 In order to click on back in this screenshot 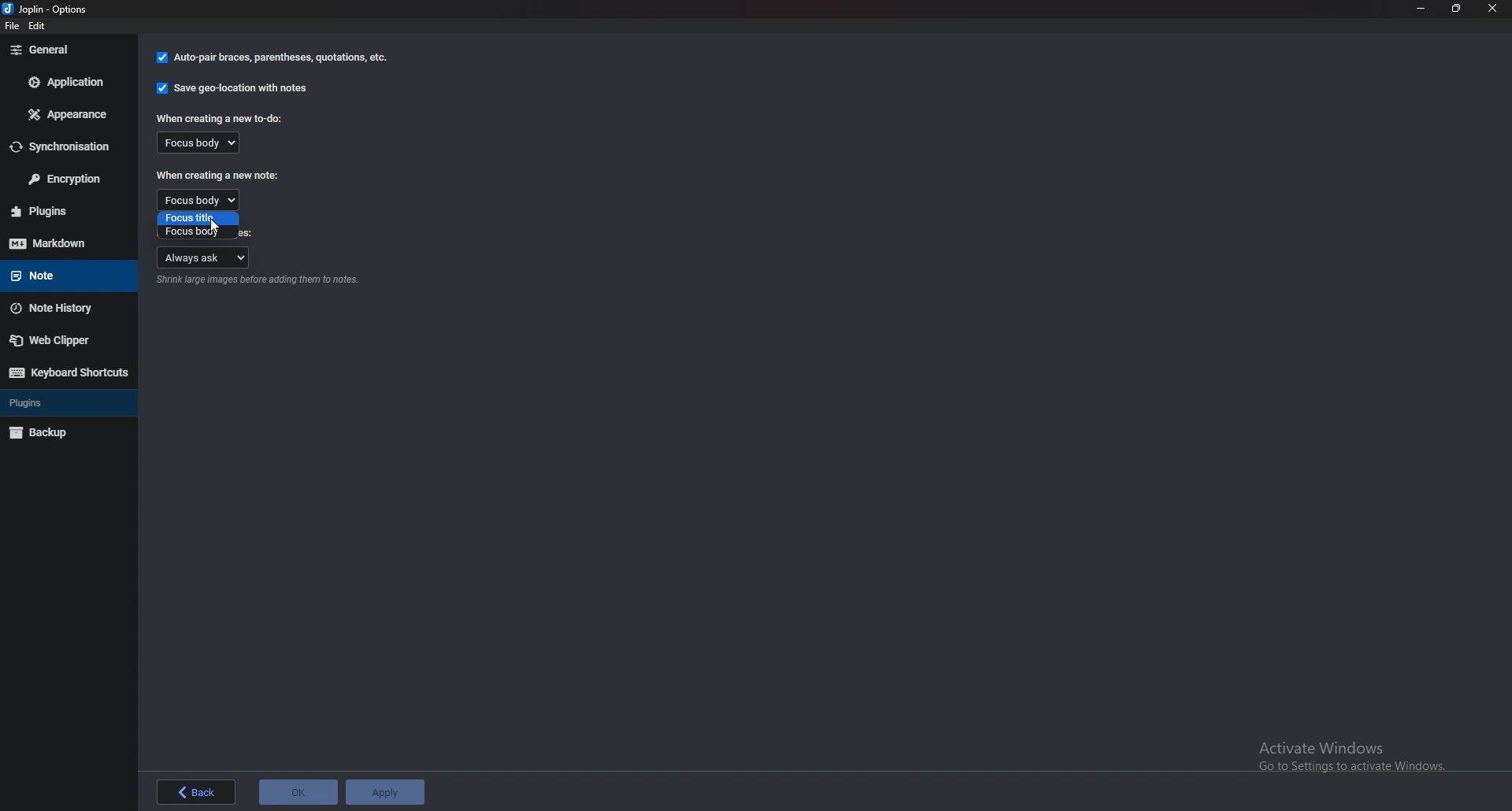, I will do `click(195, 794)`.